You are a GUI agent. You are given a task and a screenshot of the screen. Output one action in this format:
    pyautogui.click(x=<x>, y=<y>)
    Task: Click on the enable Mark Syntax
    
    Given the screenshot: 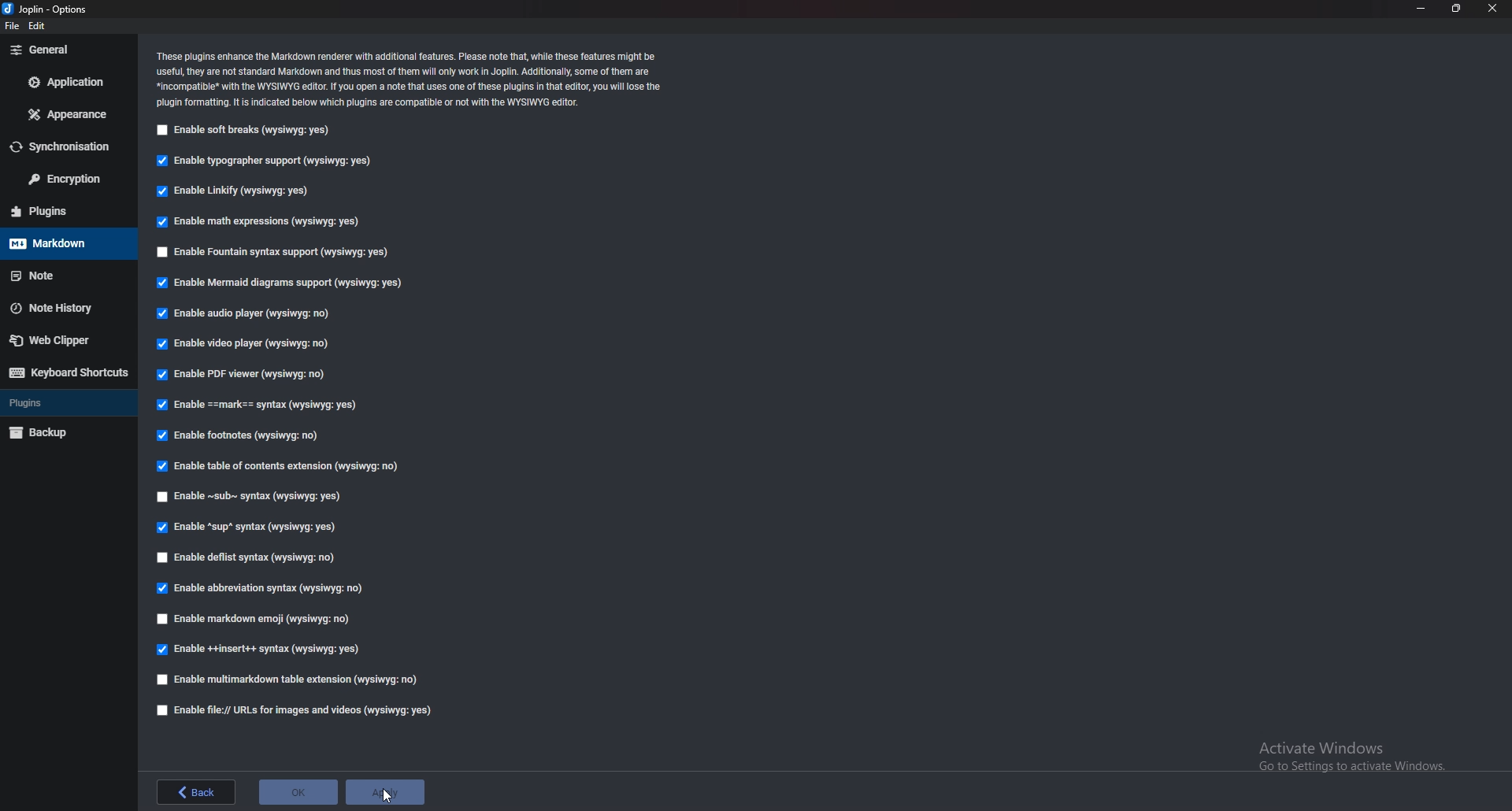 What is the action you would take?
    pyautogui.click(x=259, y=404)
    